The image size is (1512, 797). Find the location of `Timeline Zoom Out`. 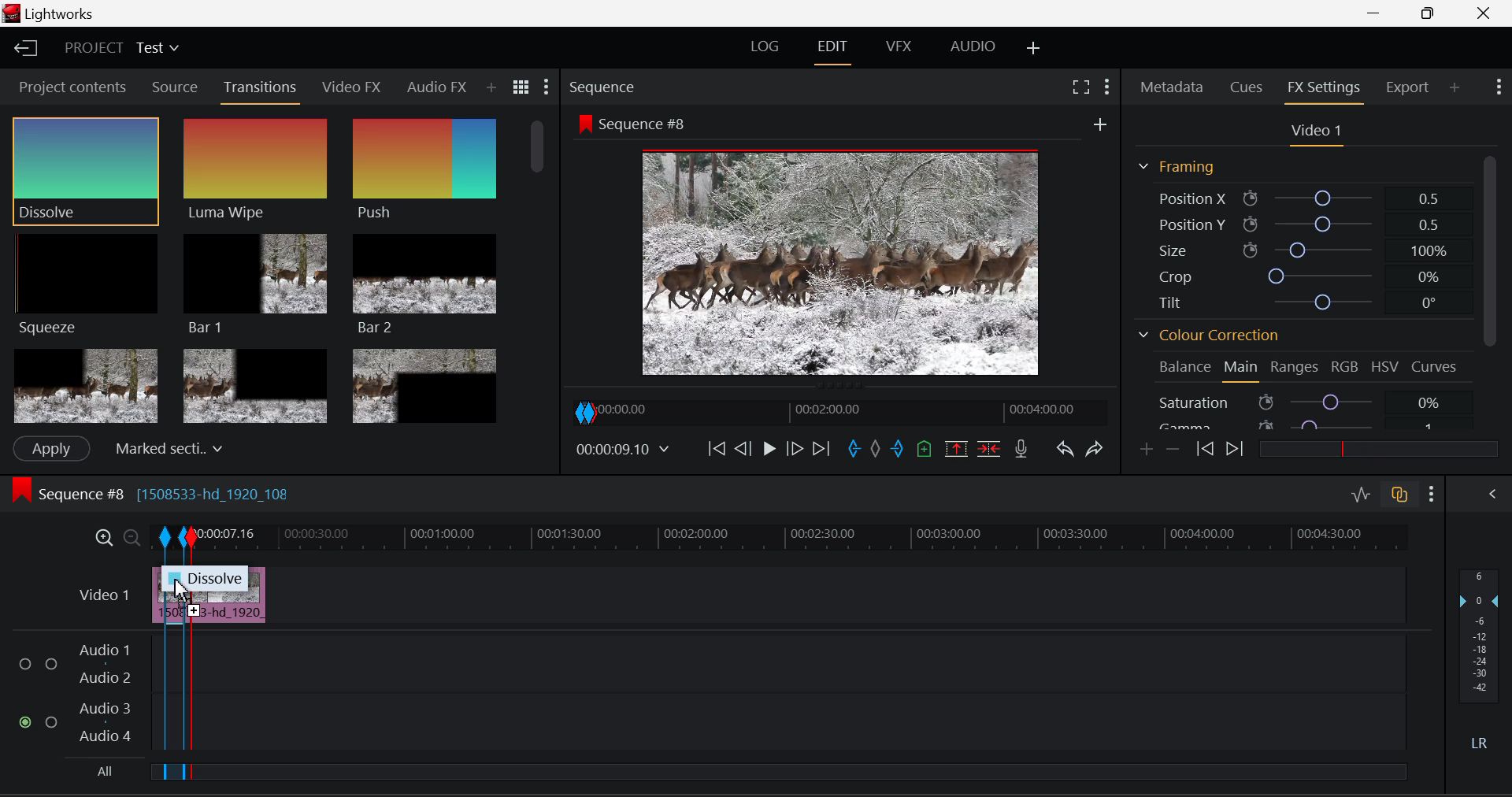

Timeline Zoom Out is located at coordinates (129, 535).